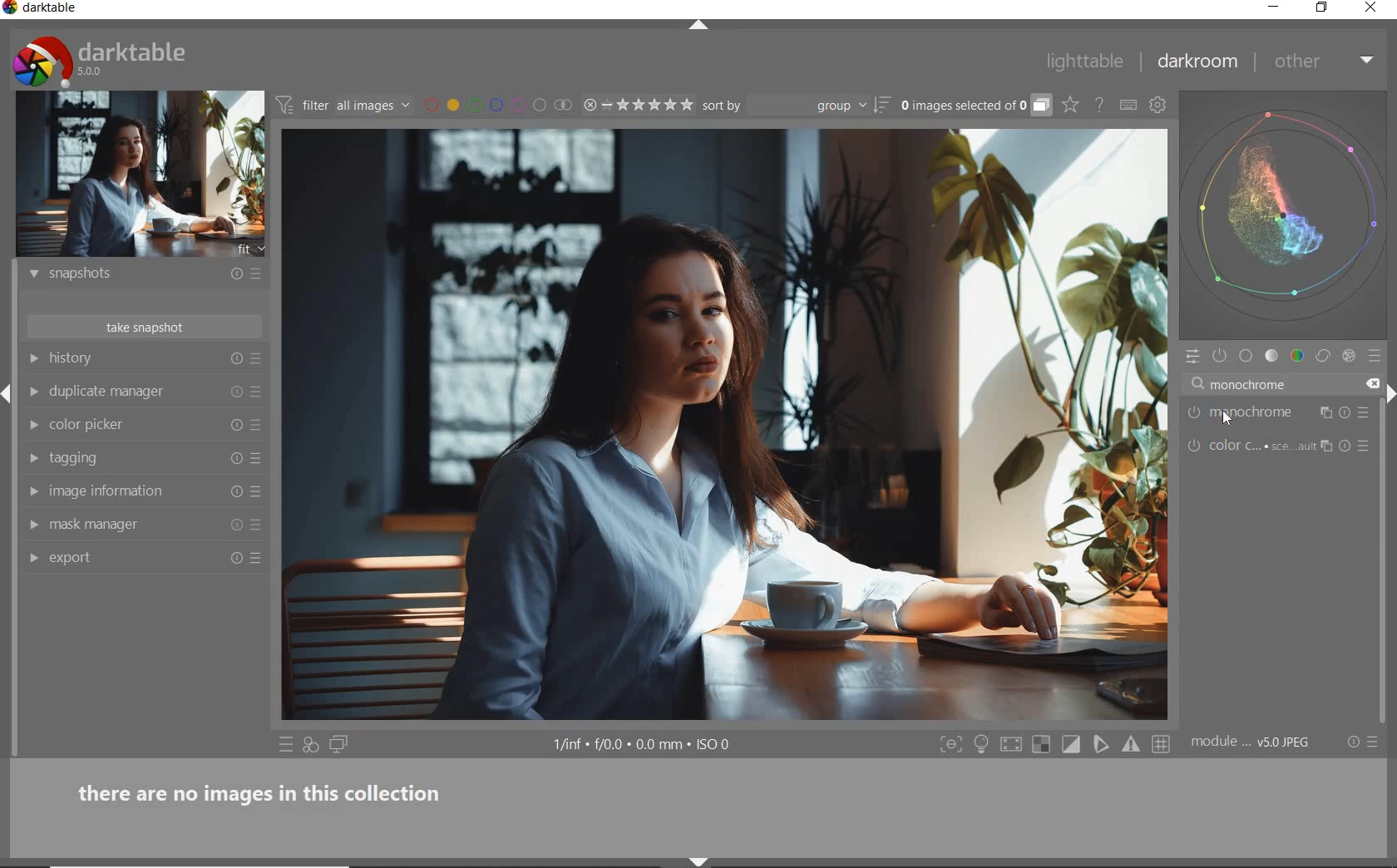 Image resolution: width=1397 pixels, height=868 pixels. Describe the element at coordinates (1130, 745) in the screenshot. I see `Toggle gamut checking` at that location.